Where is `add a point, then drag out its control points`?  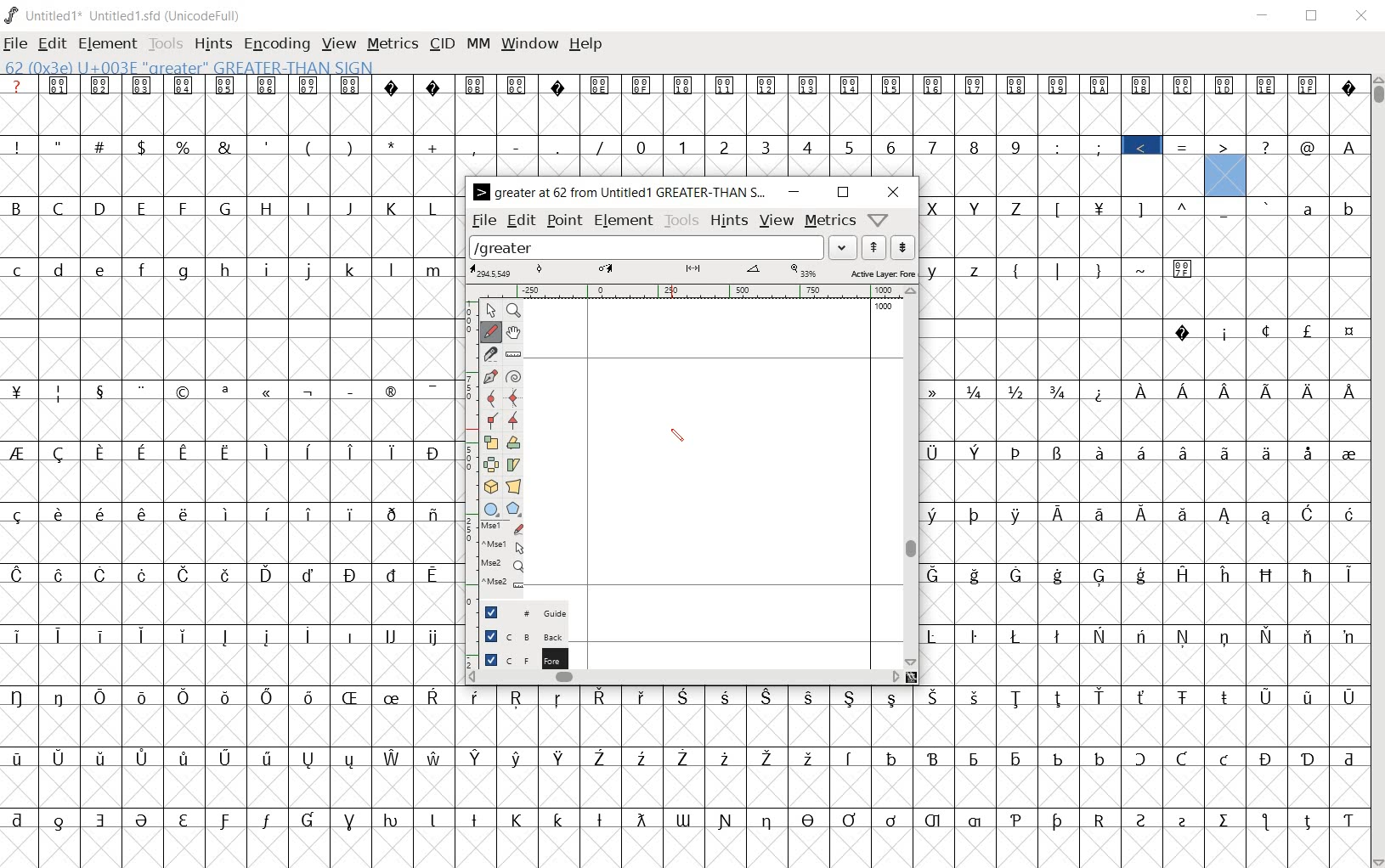 add a point, then drag out its control points is located at coordinates (489, 375).